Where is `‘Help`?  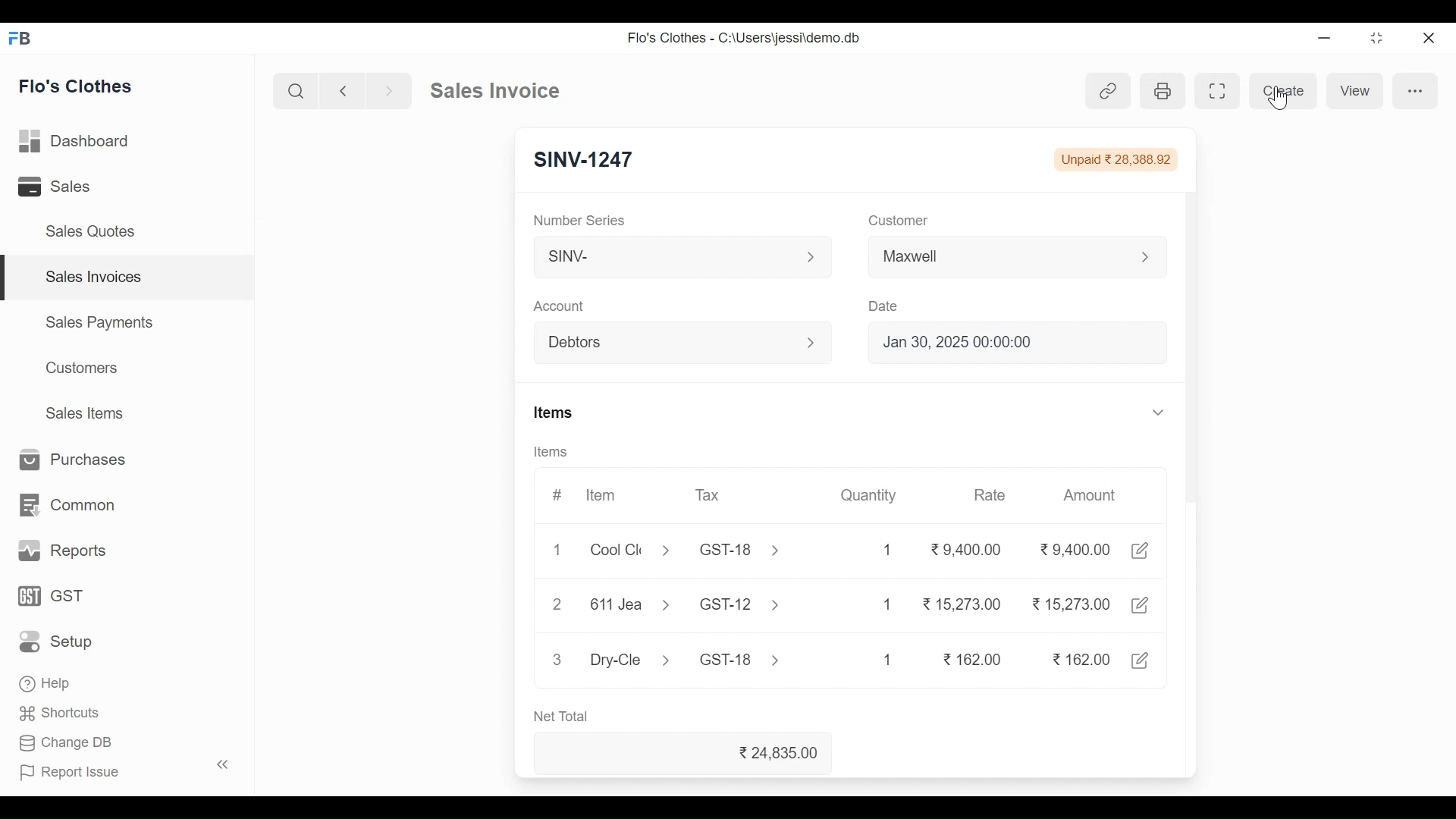
‘Help is located at coordinates (48, 683).